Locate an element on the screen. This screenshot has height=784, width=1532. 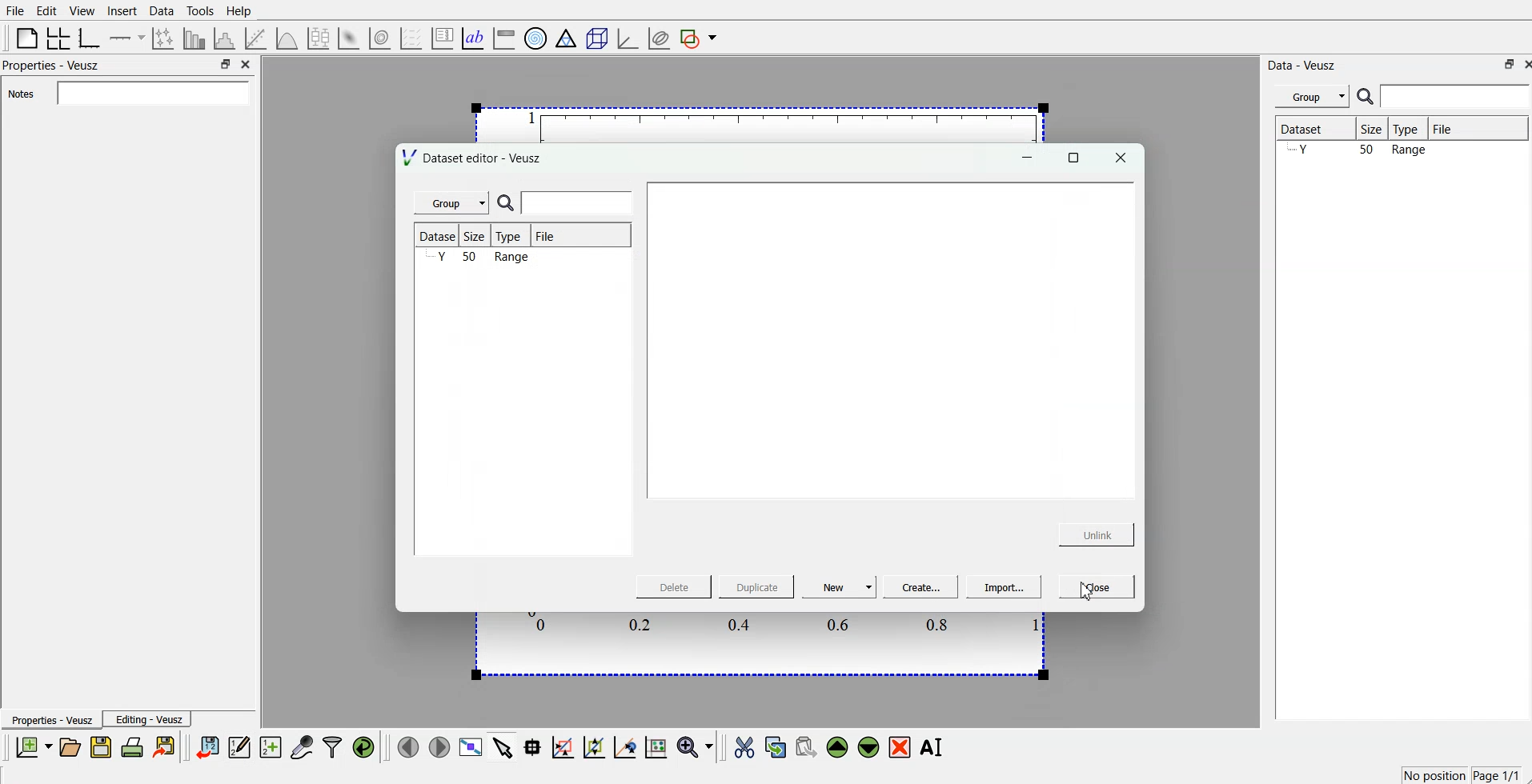
Help is located at coordinates (239, 12).